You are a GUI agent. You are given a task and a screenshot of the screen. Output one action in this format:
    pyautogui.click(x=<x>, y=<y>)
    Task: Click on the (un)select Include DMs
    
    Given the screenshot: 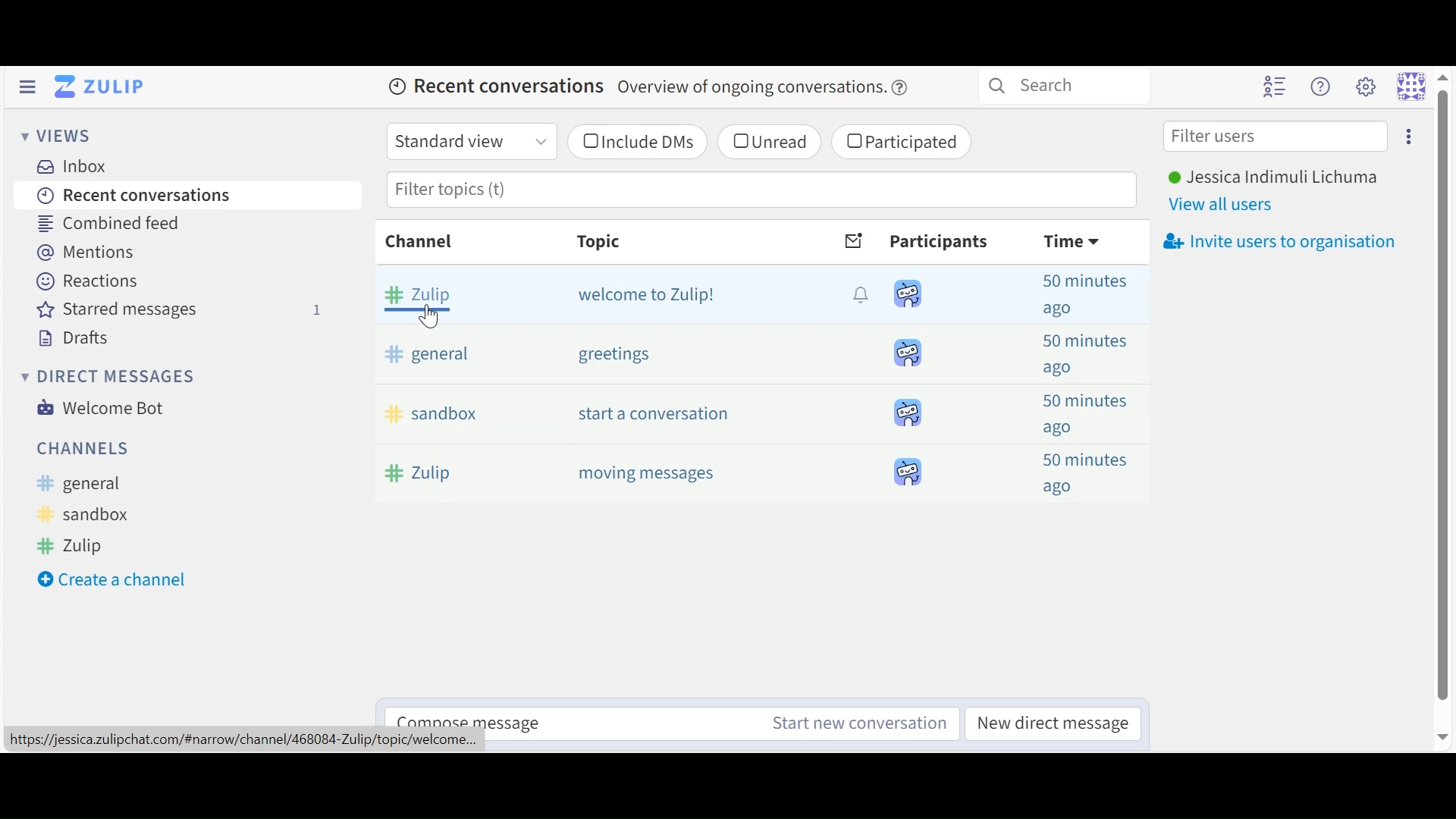 What is the action you would take?
    pyautogui.click(x=639, y=142)
    